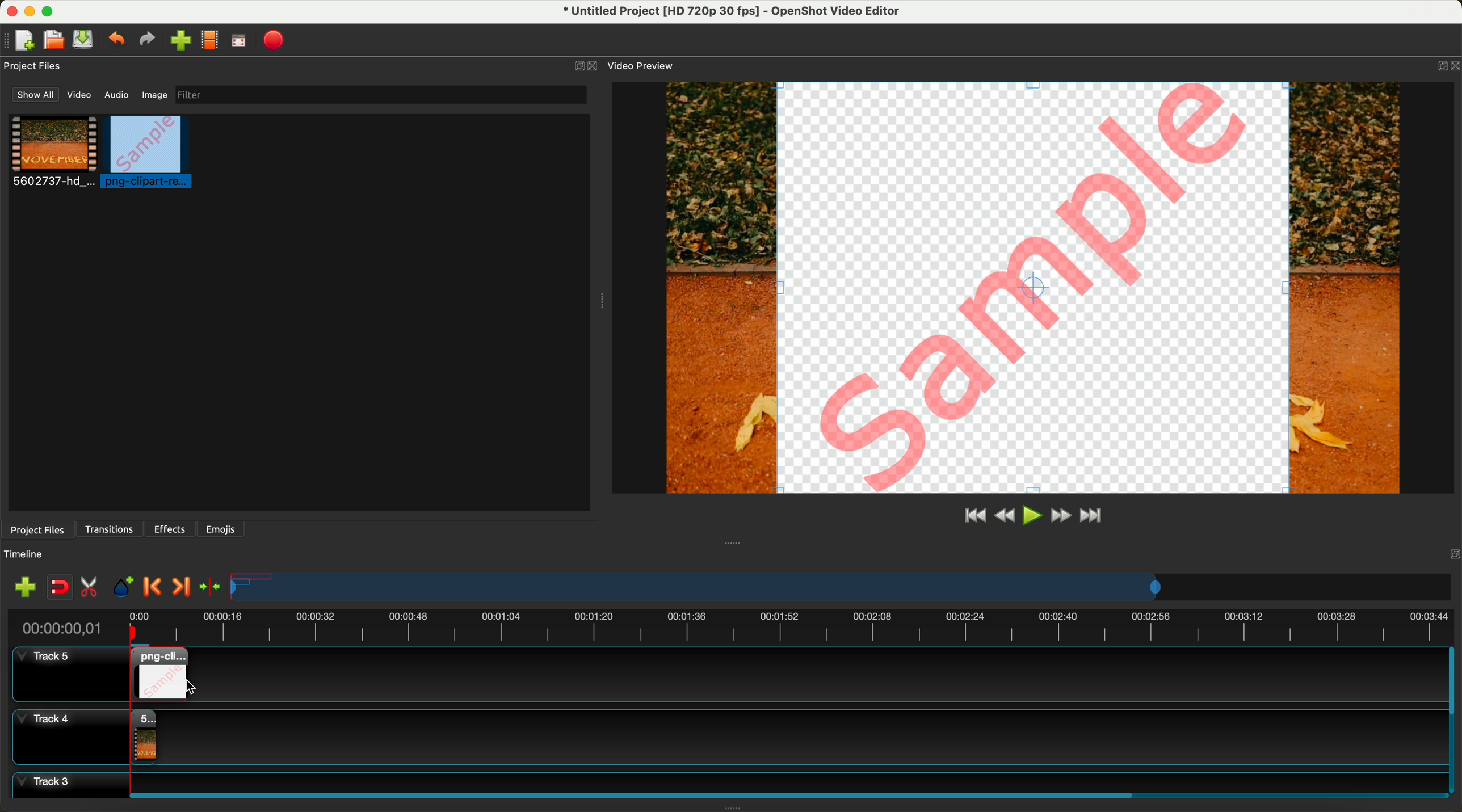 Image resolution: width=1462 pixels, height=812 pixels. I want to click on video, so click(54, 153).